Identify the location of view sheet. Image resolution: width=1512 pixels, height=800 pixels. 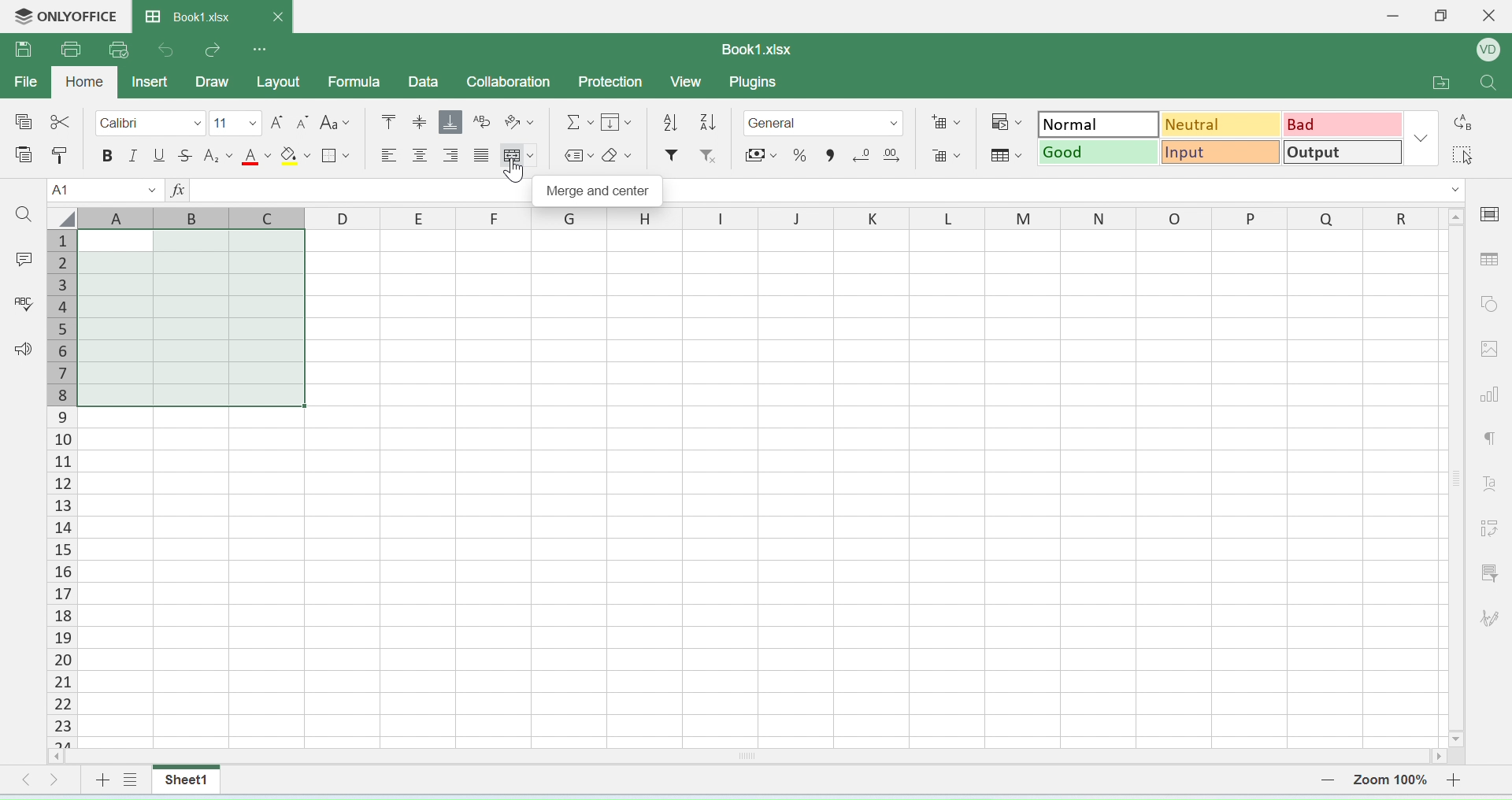
(132, 782).